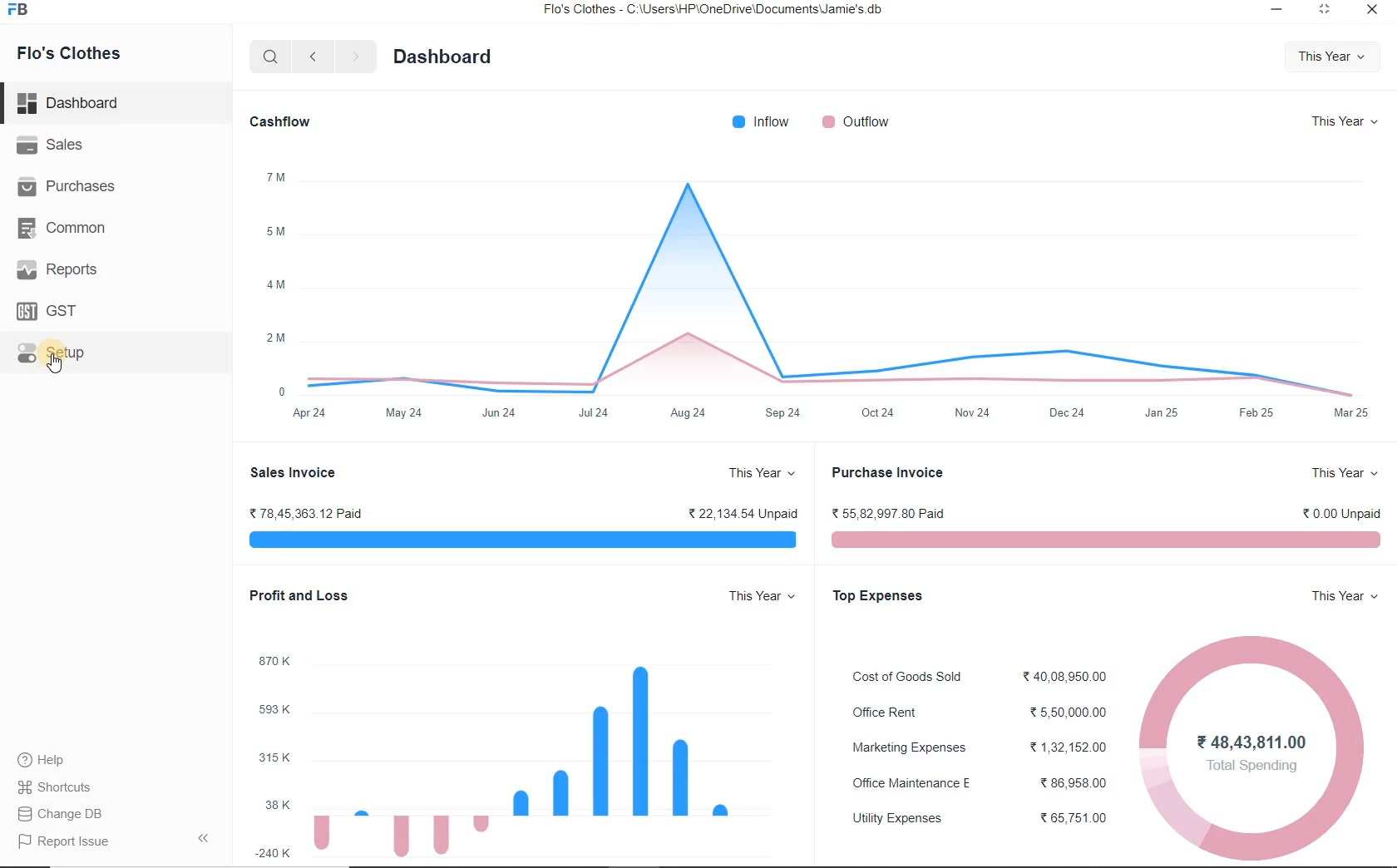 This screenshot has width=1397, height=868. What do you see at coordinates (279, 389) in the screenshot?
I see `0` at bounding box center [279, 389].